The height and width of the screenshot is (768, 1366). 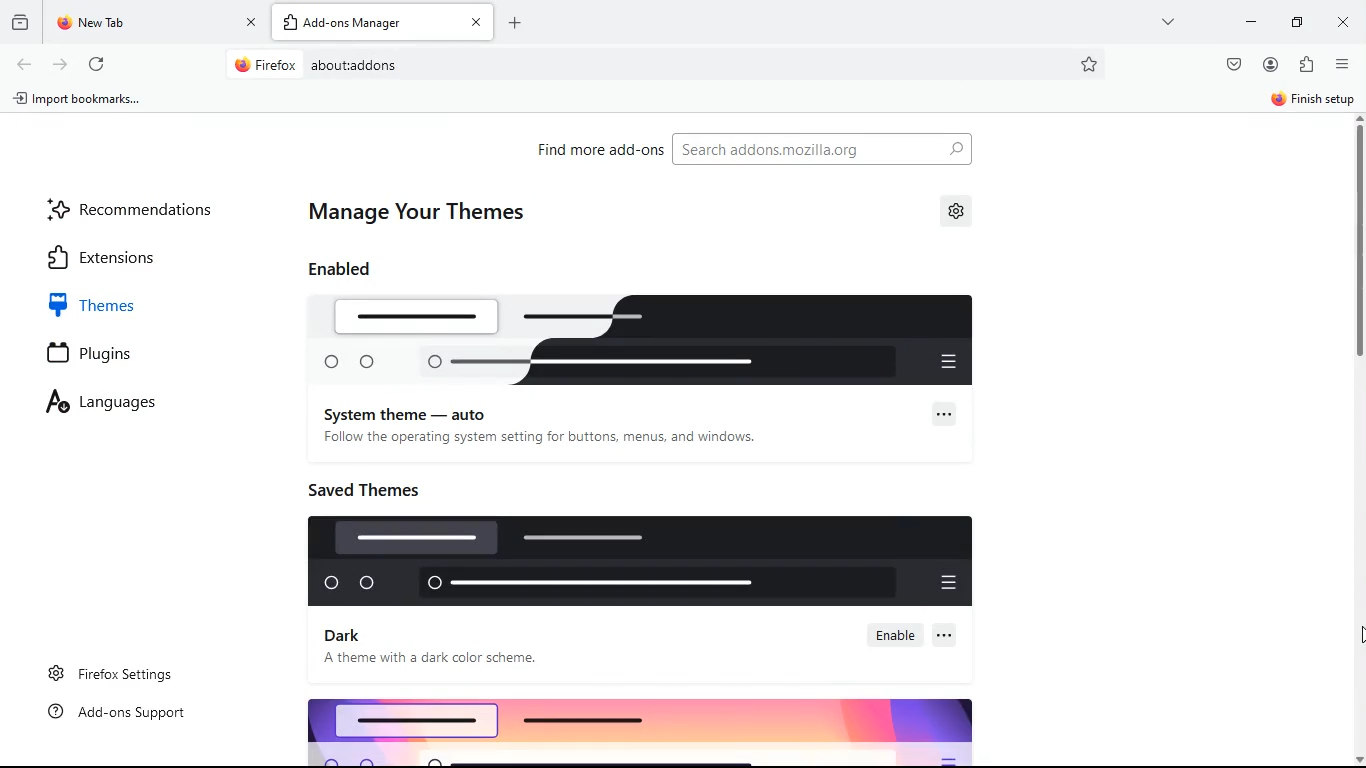 I want to click on settings, so click(x=957, y=213).